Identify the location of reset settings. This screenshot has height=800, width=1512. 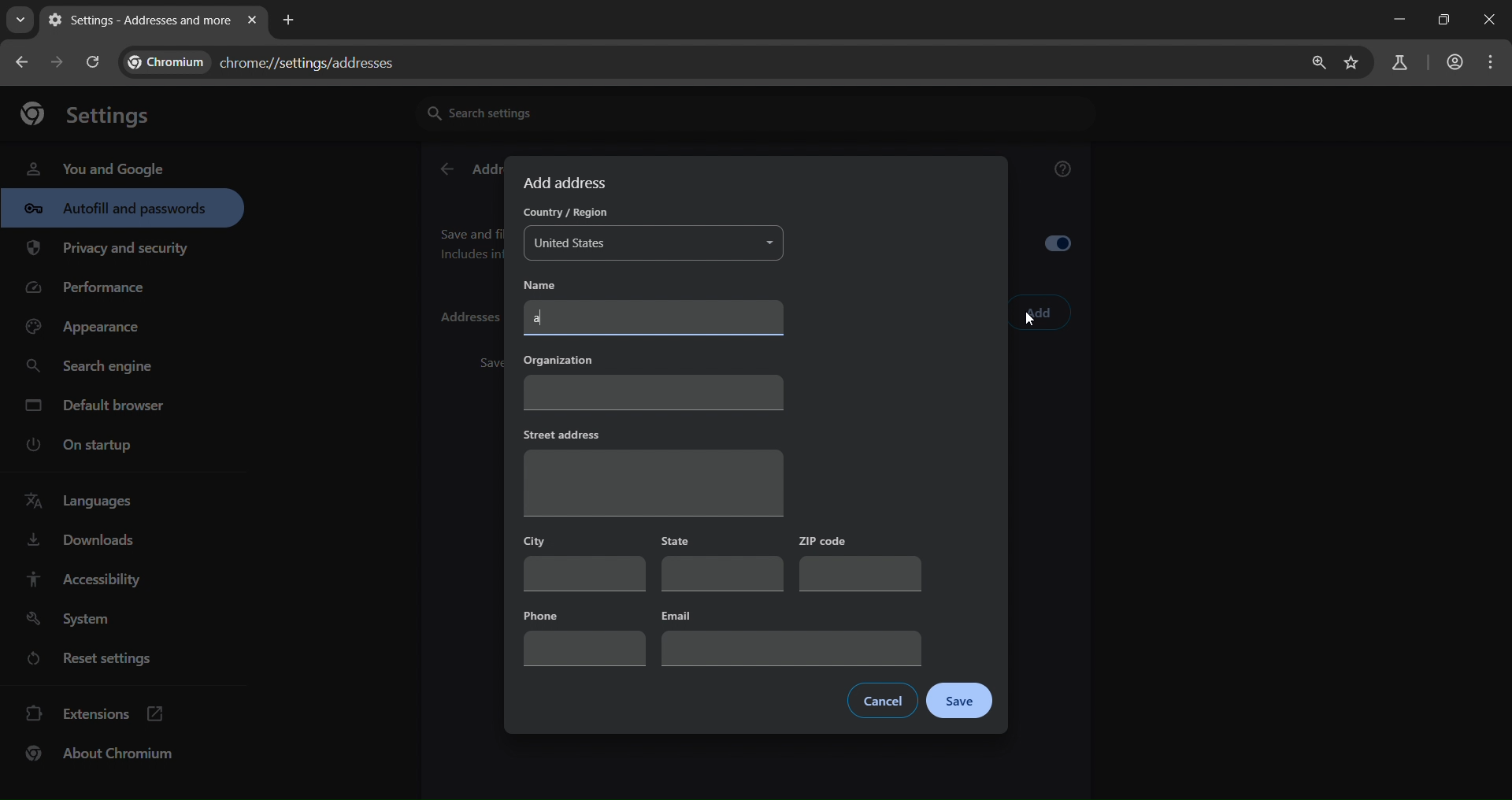
(104, 661).